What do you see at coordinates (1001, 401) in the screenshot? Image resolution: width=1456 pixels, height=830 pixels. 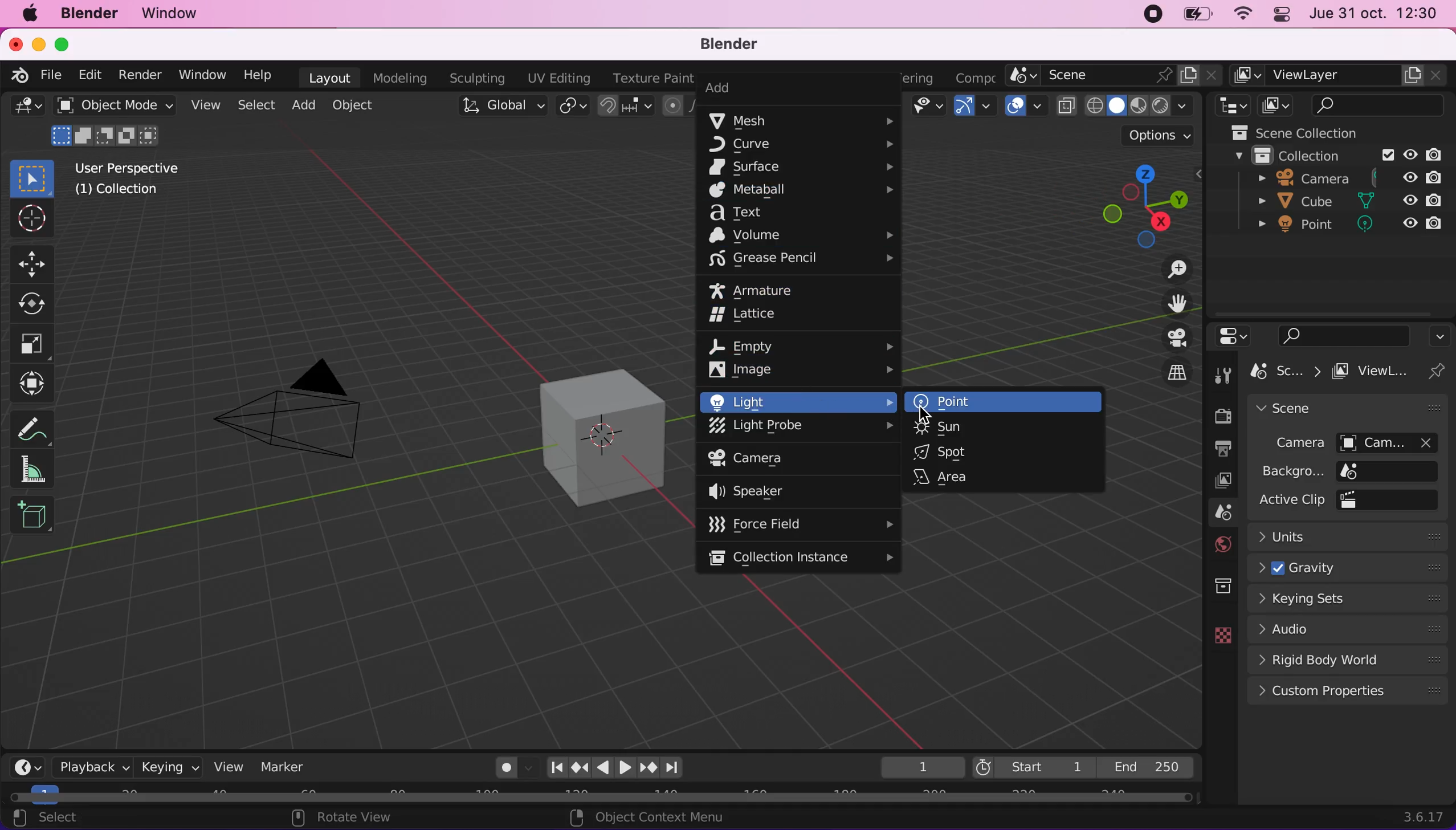 I see `point` at bounding box center [1001, 401].